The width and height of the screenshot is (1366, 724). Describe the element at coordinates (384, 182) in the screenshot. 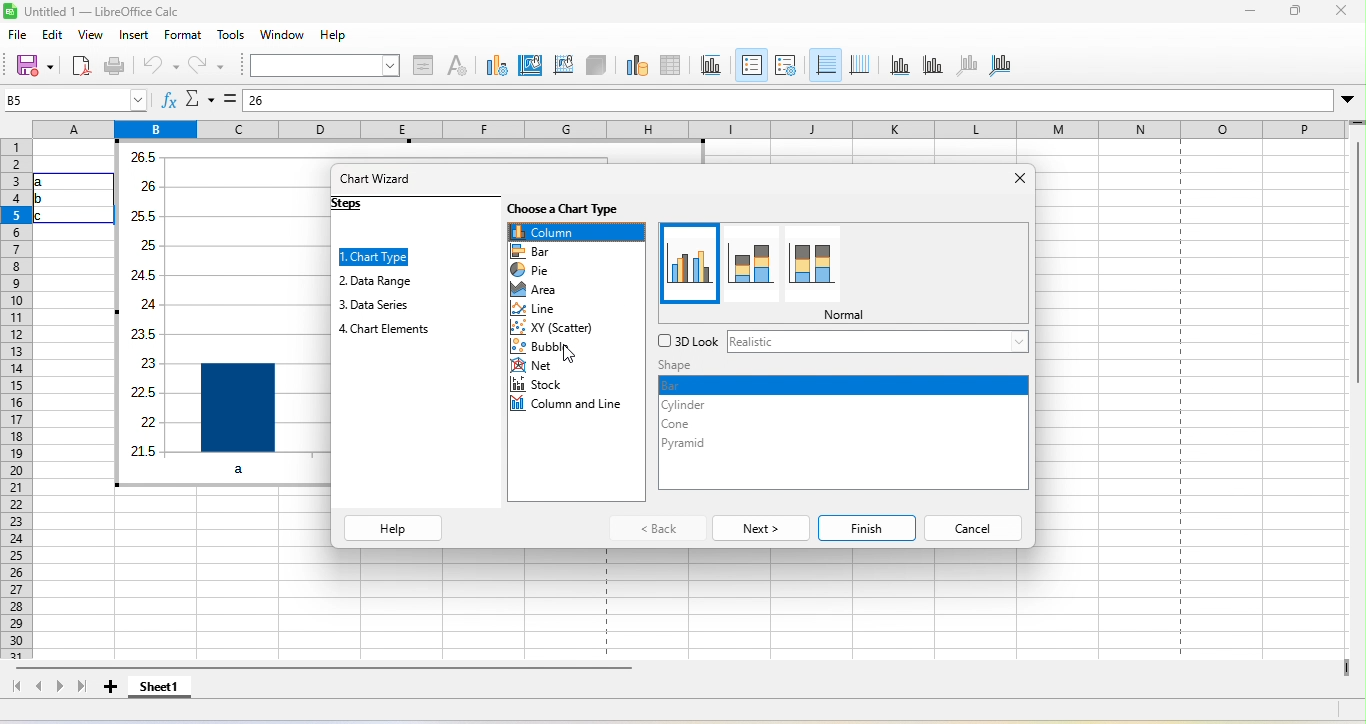

I see `chart wizard` at that location.